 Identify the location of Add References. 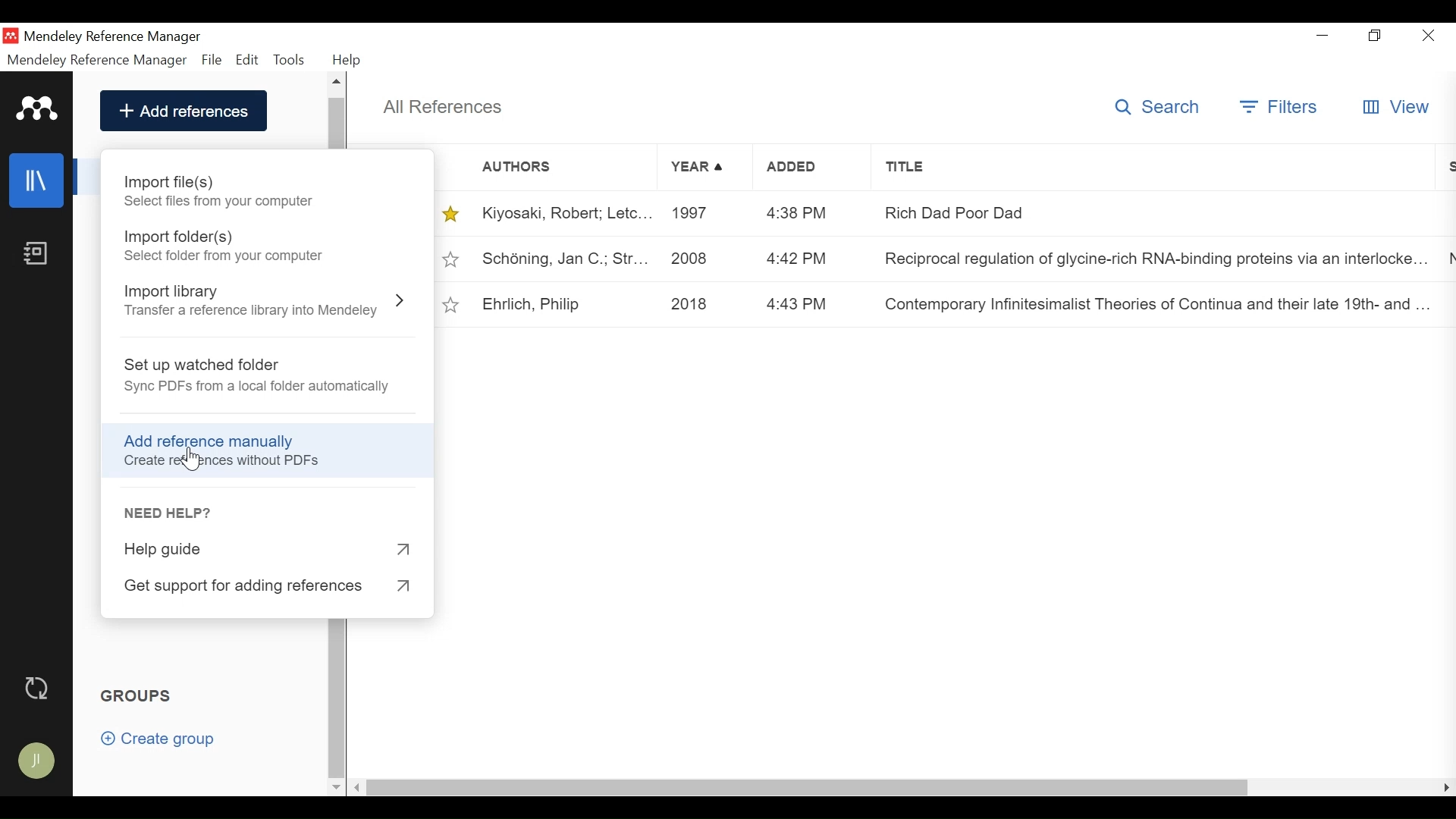
(184, 111).